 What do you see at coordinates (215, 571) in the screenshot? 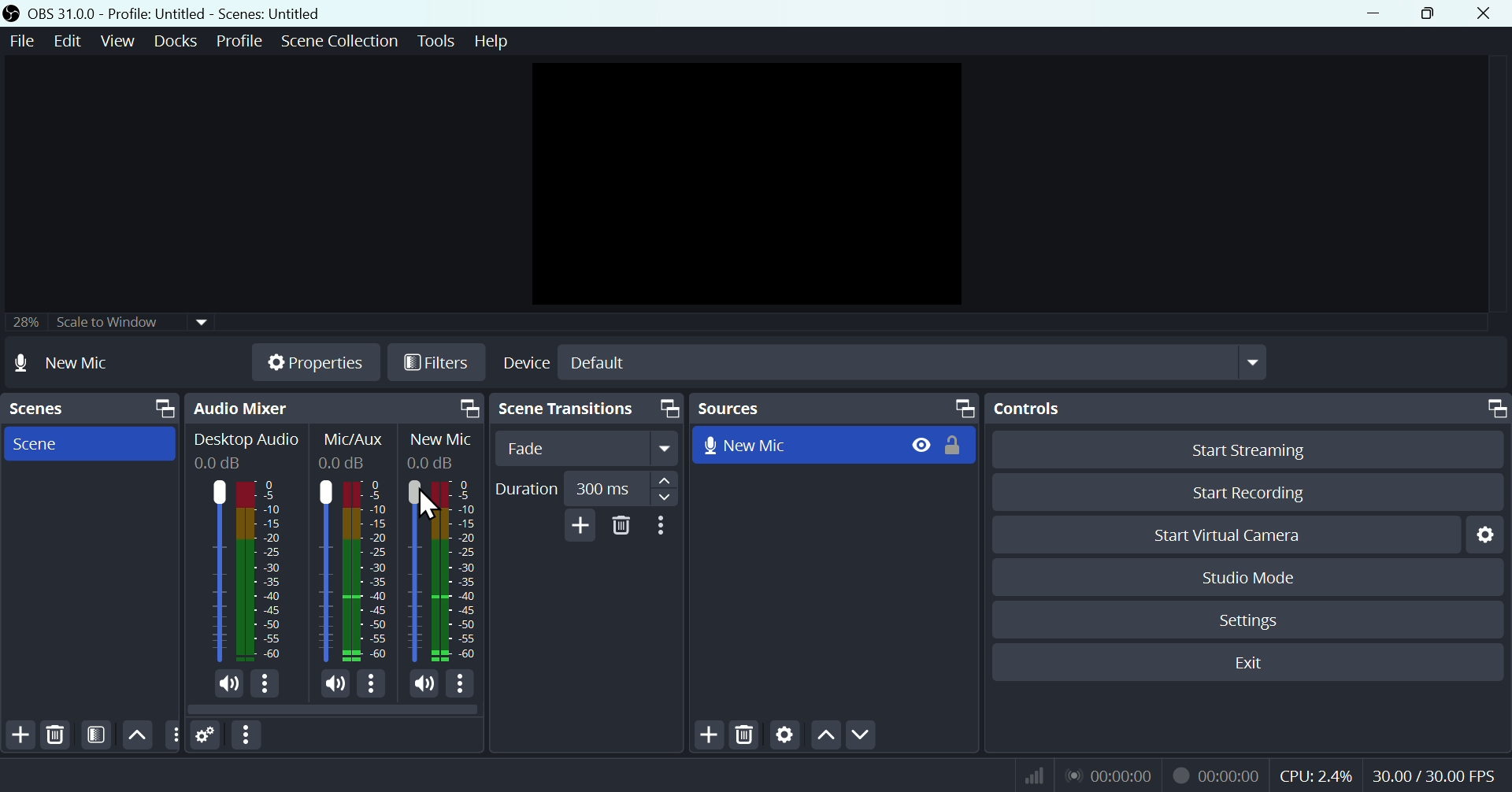
I see `Desktop Audio` at bounding box center [215, 571].